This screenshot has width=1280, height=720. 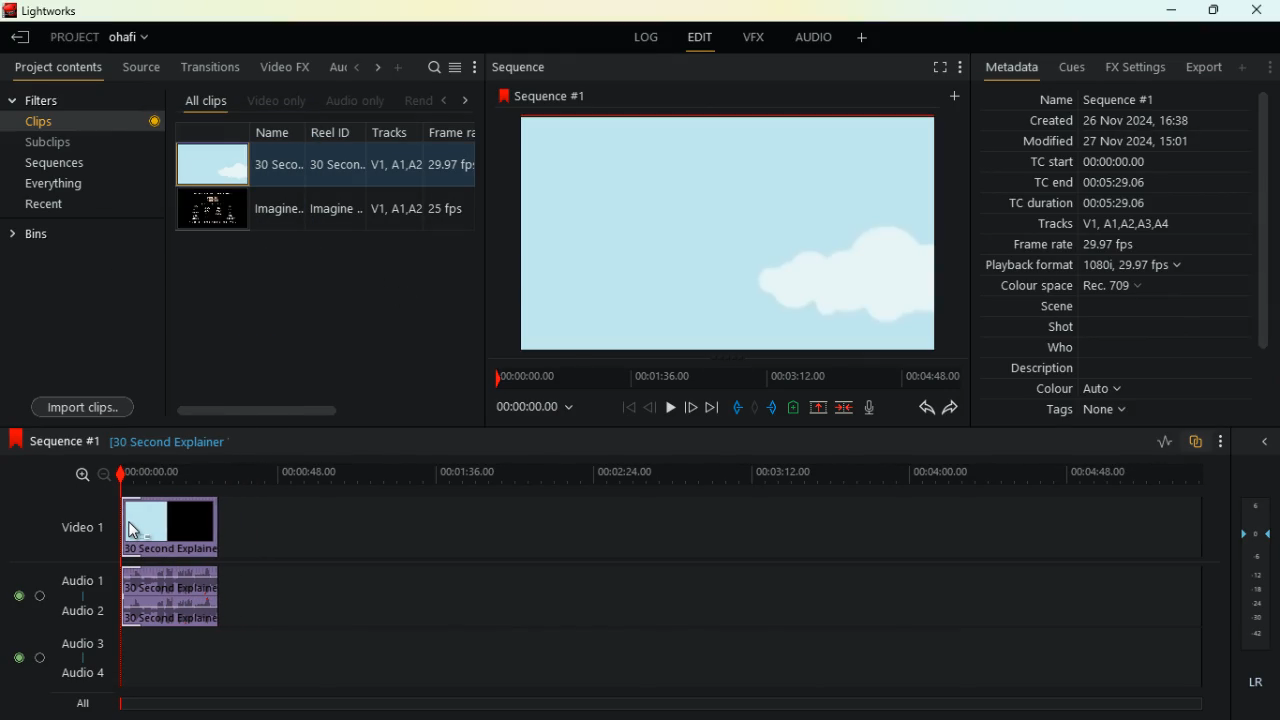 What do you see at coordinates (773, 407) in the screenshot?
I see `push` at bounding box center [773, 407].